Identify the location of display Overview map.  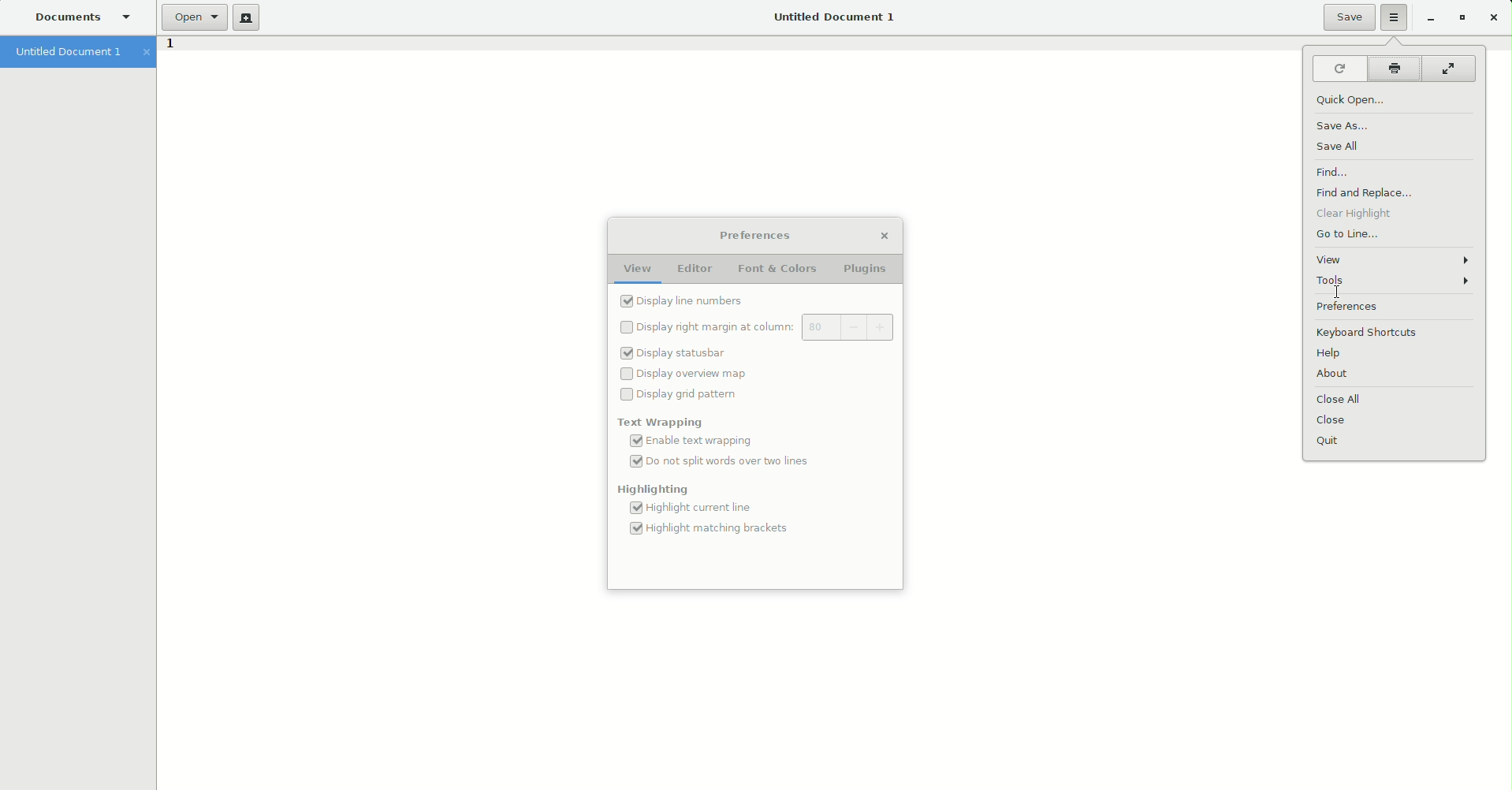
(688, 372).